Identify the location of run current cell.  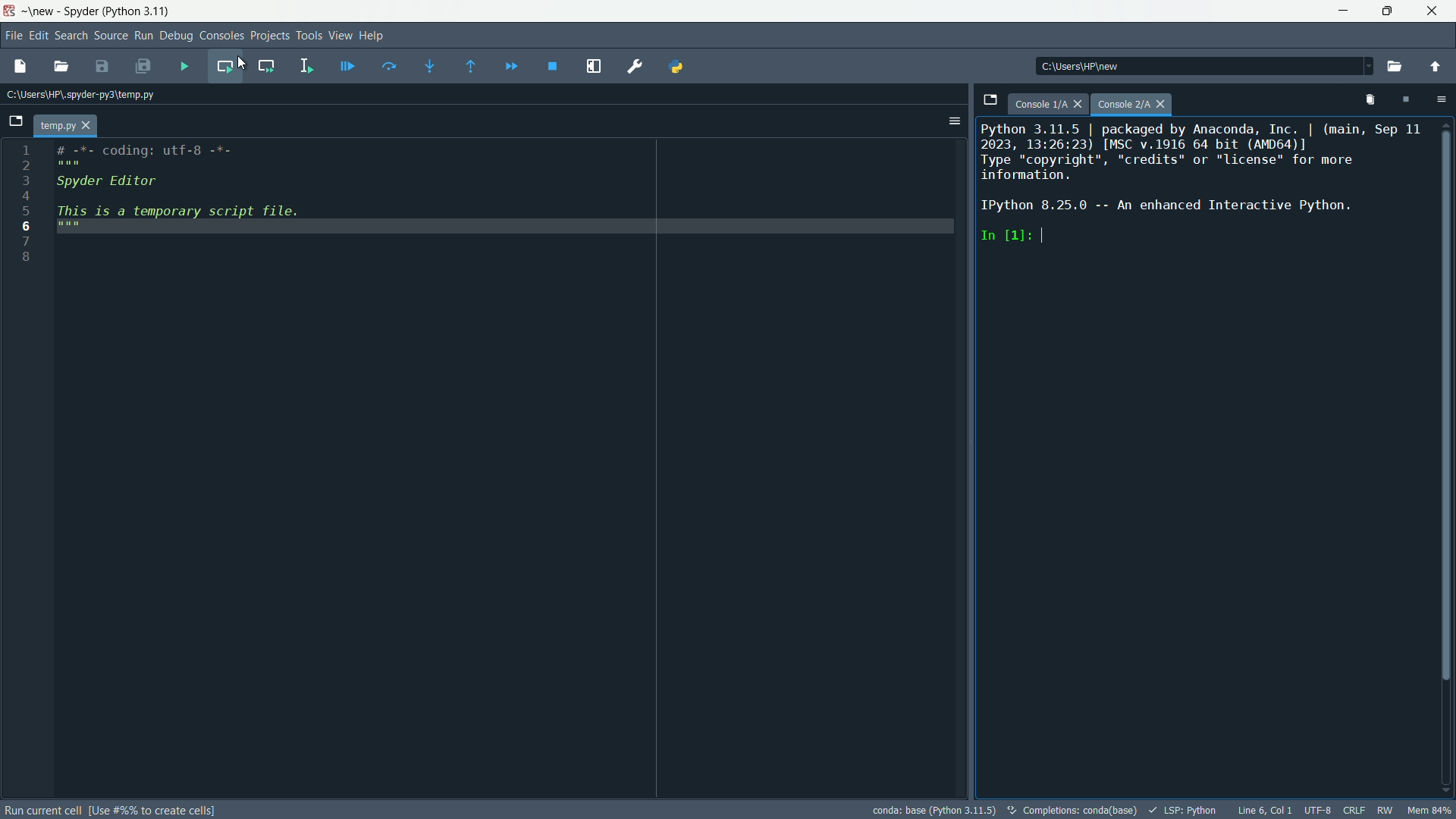
(224, 66).